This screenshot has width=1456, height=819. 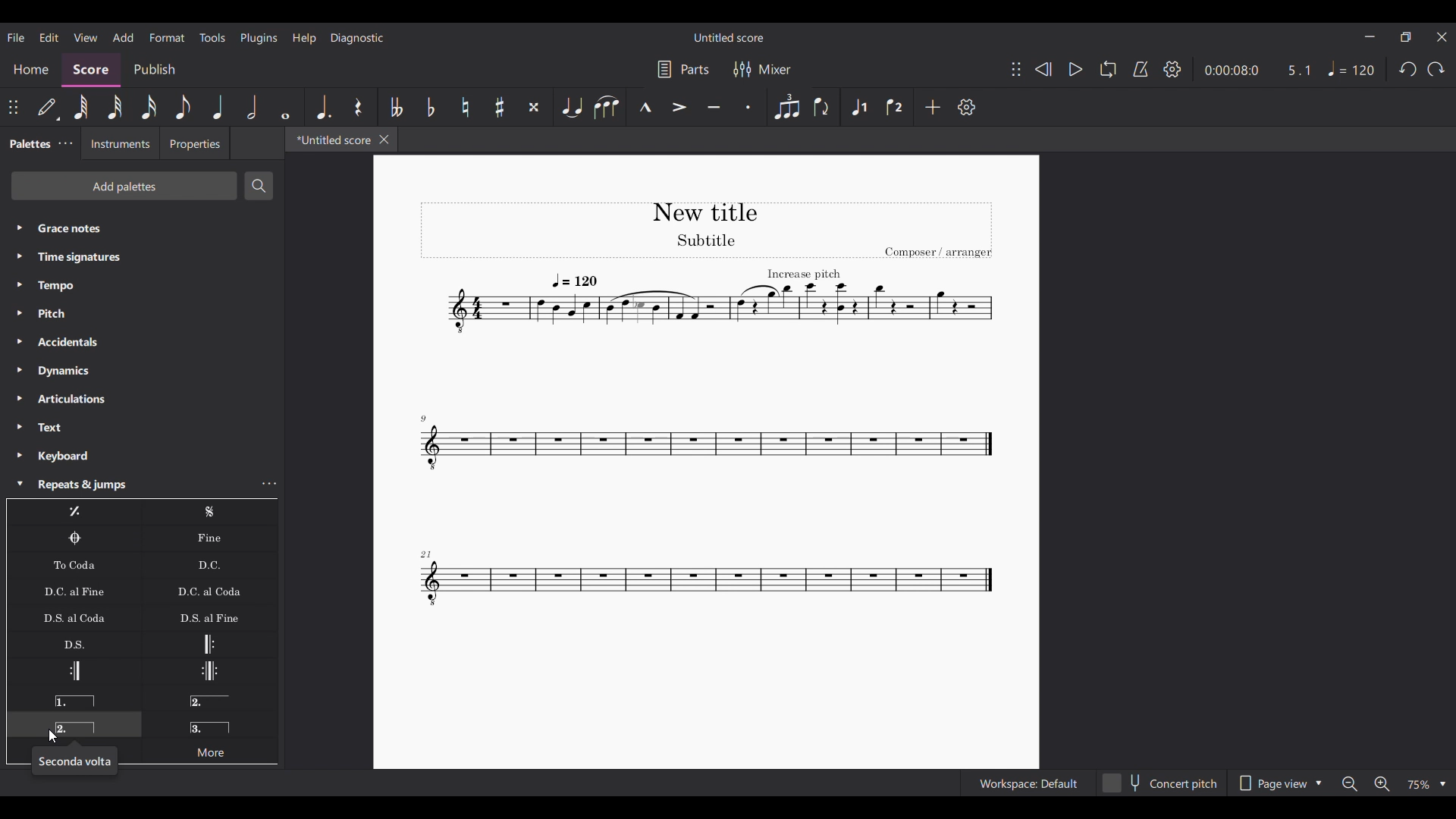 I want to click on Publish section, so click(x=155, y=71).